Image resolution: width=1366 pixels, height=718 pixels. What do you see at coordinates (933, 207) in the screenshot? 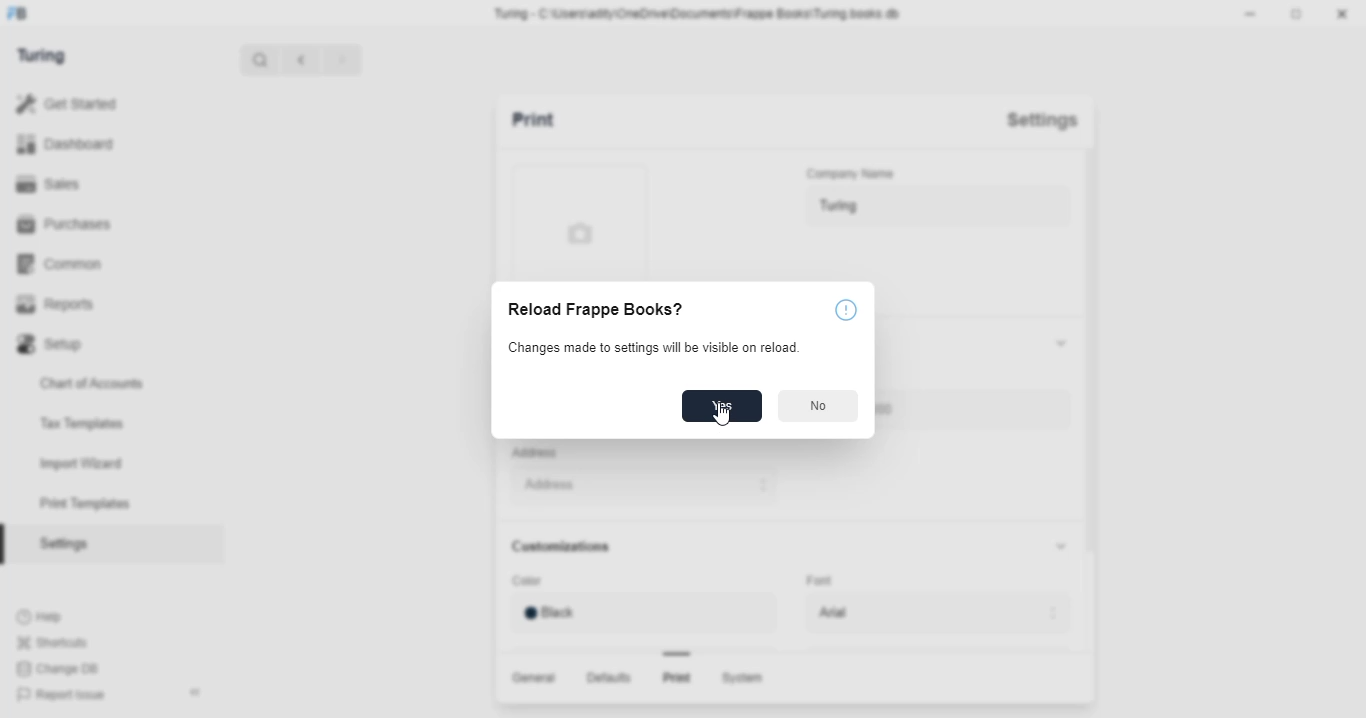
I see `Turing` at bounding box center [933, 207].